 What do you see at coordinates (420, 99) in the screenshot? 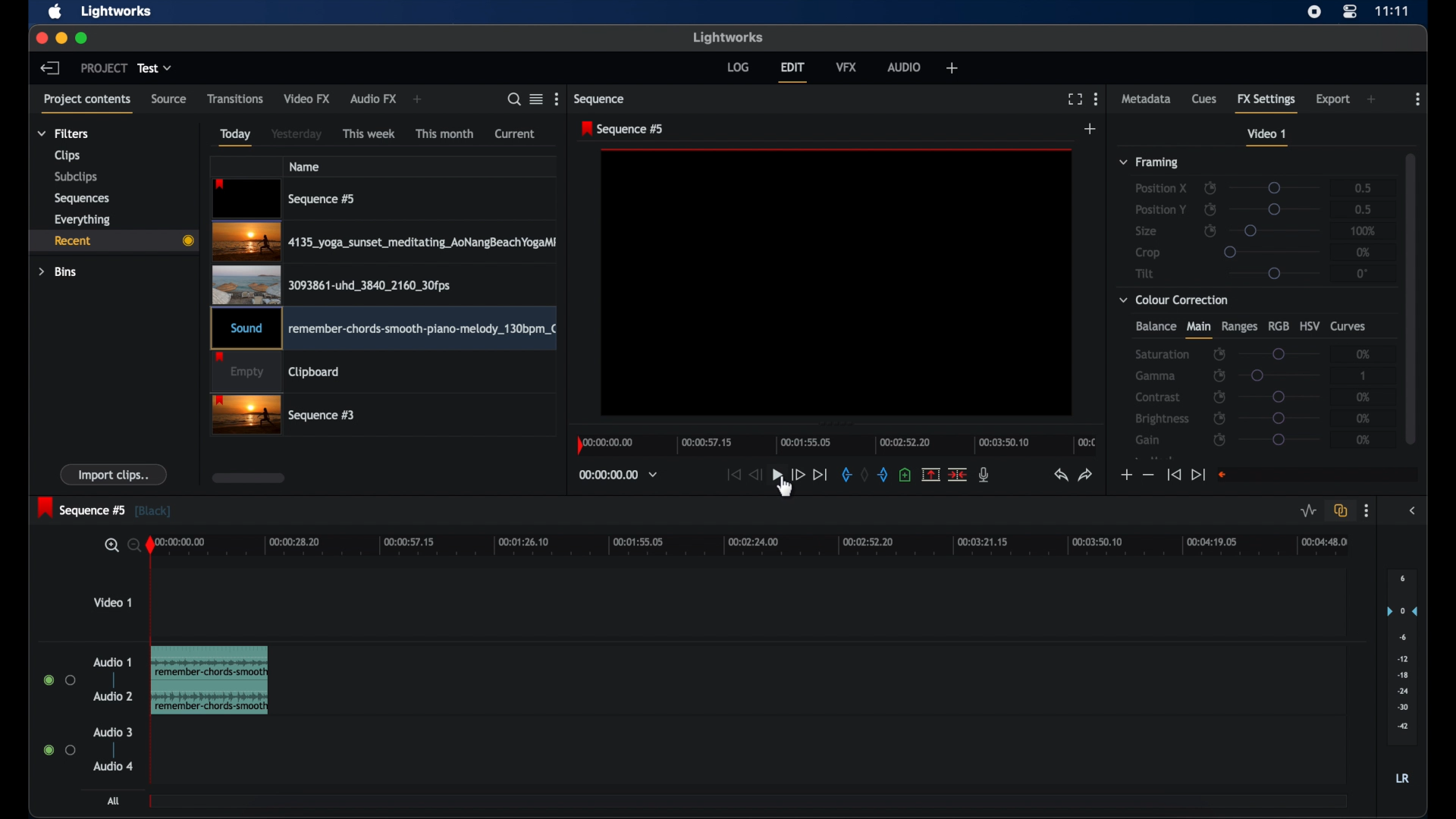
I see `add` at bounding box center [420, 99].